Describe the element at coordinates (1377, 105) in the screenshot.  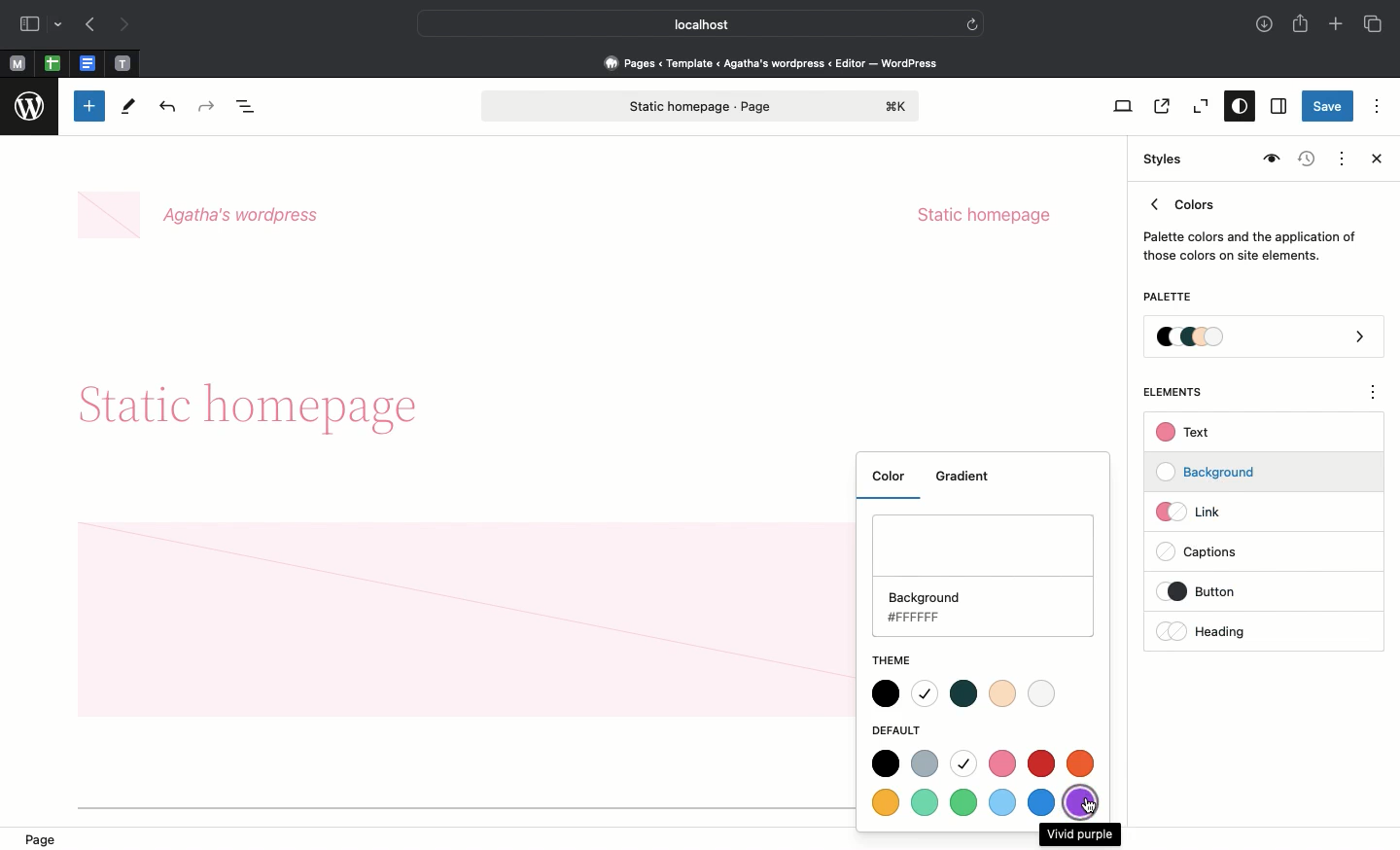
I see `Options` at that location.